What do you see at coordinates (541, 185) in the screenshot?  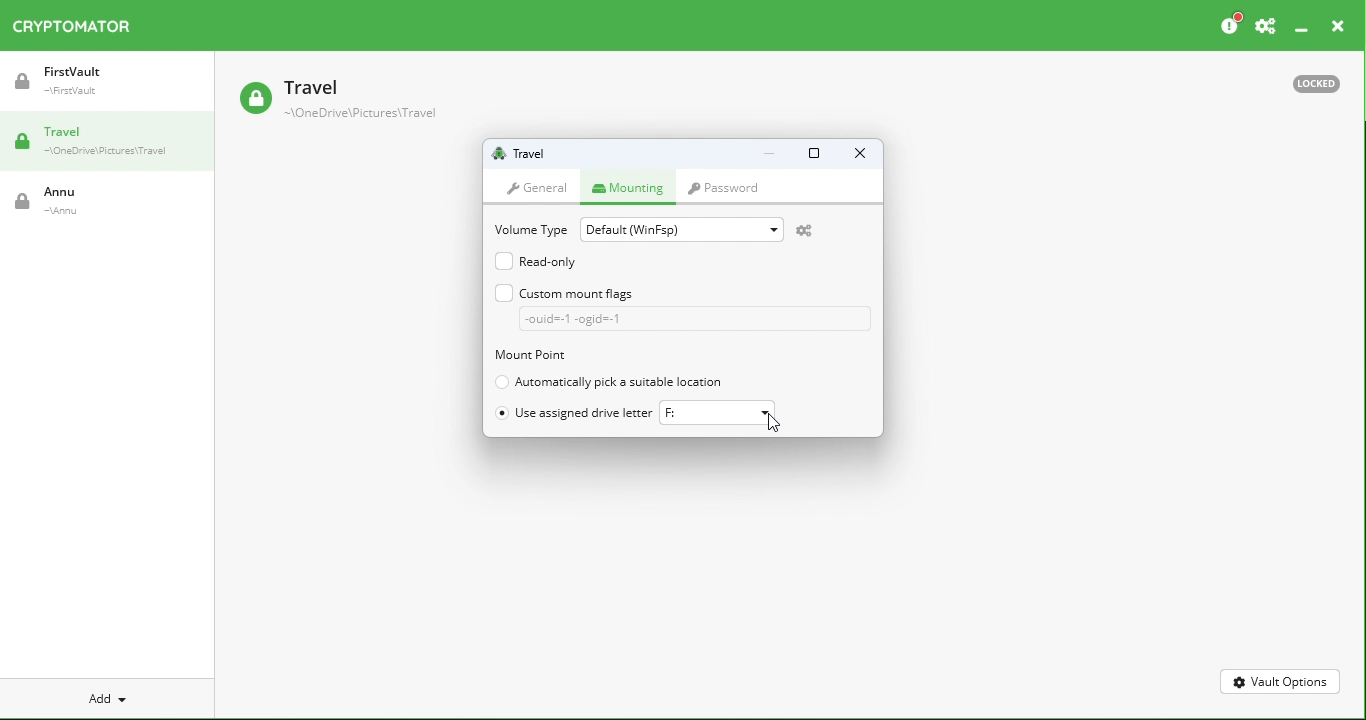 I see `General` at bounding box center [541, 185].